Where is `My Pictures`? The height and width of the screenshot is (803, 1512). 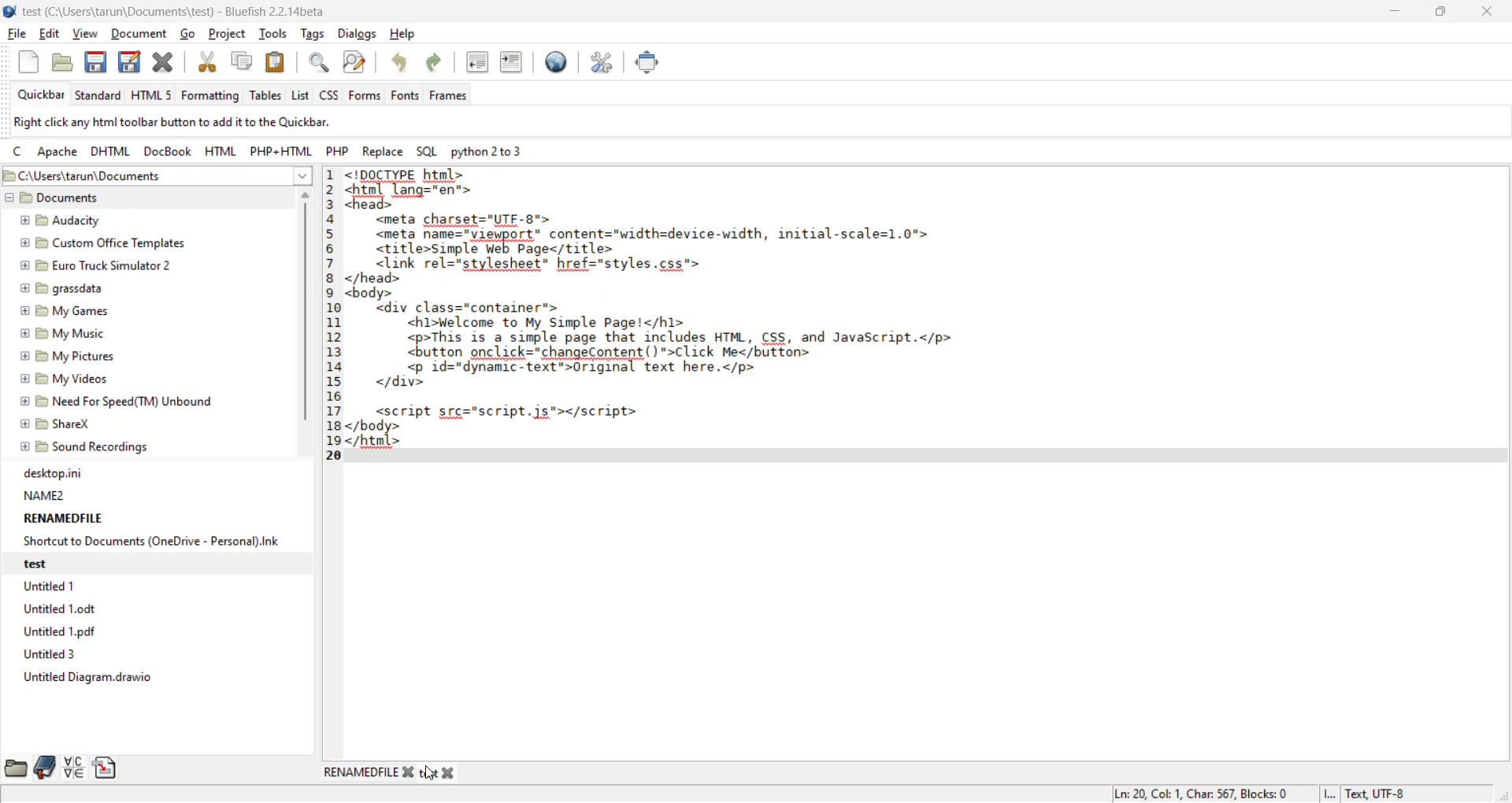 My Pictures is located at coordinates (65, 354).